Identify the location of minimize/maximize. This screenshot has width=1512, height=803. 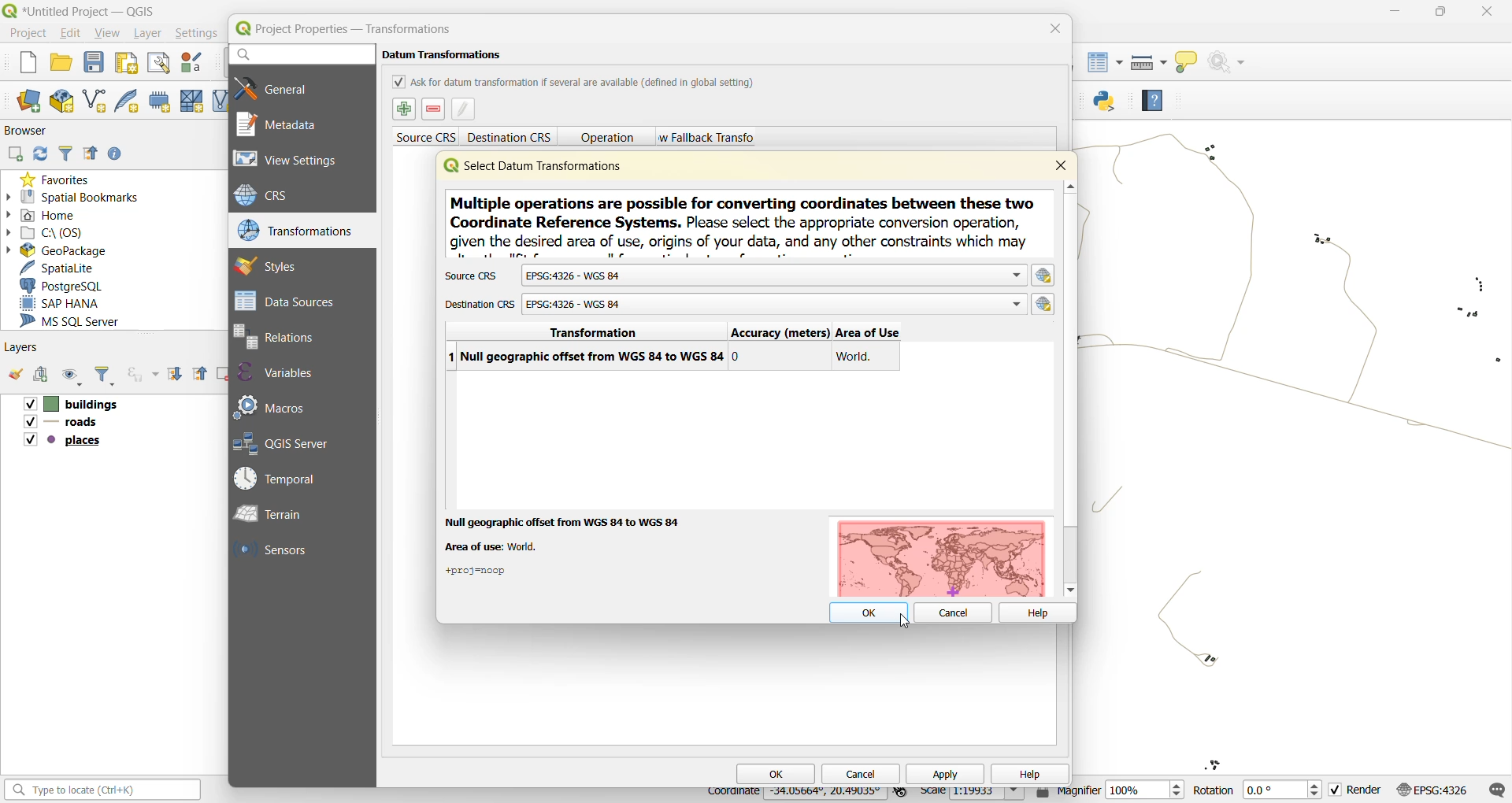
(1442, 13).